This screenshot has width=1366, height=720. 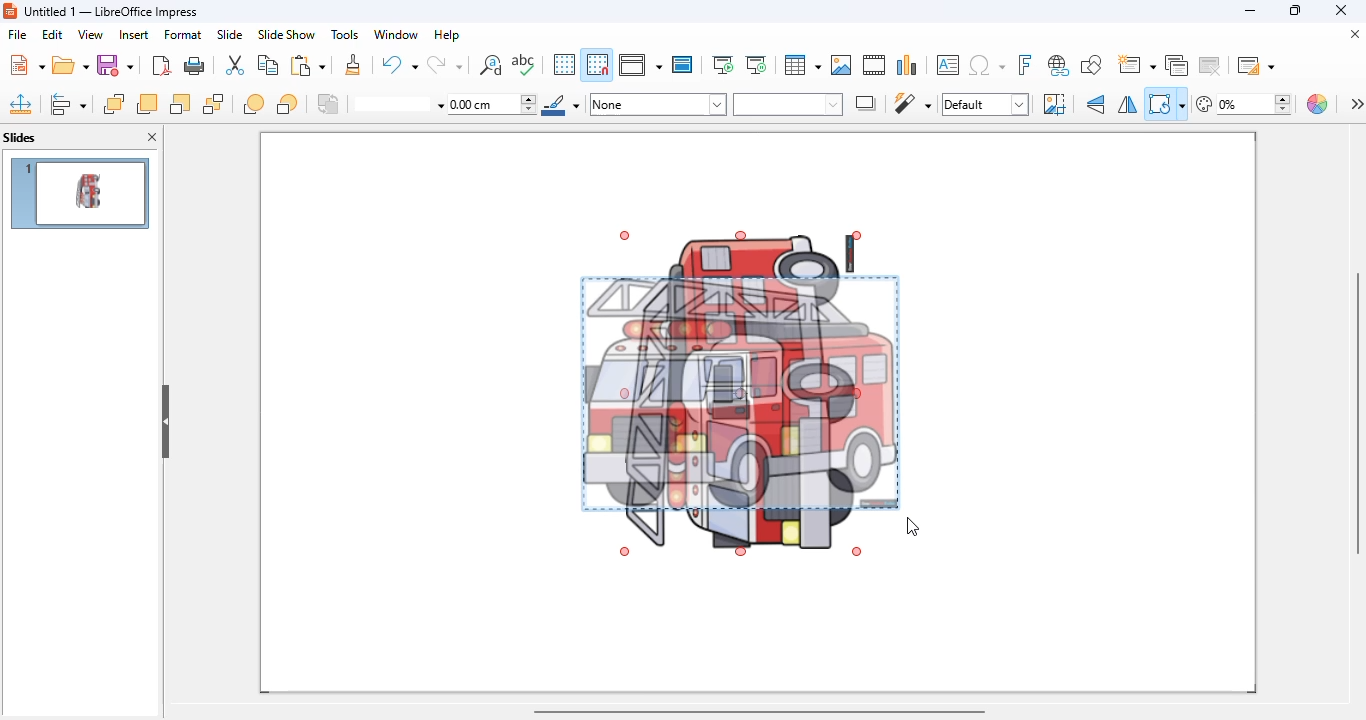 I want to click on delete slide, so click(x=1210, y=64).